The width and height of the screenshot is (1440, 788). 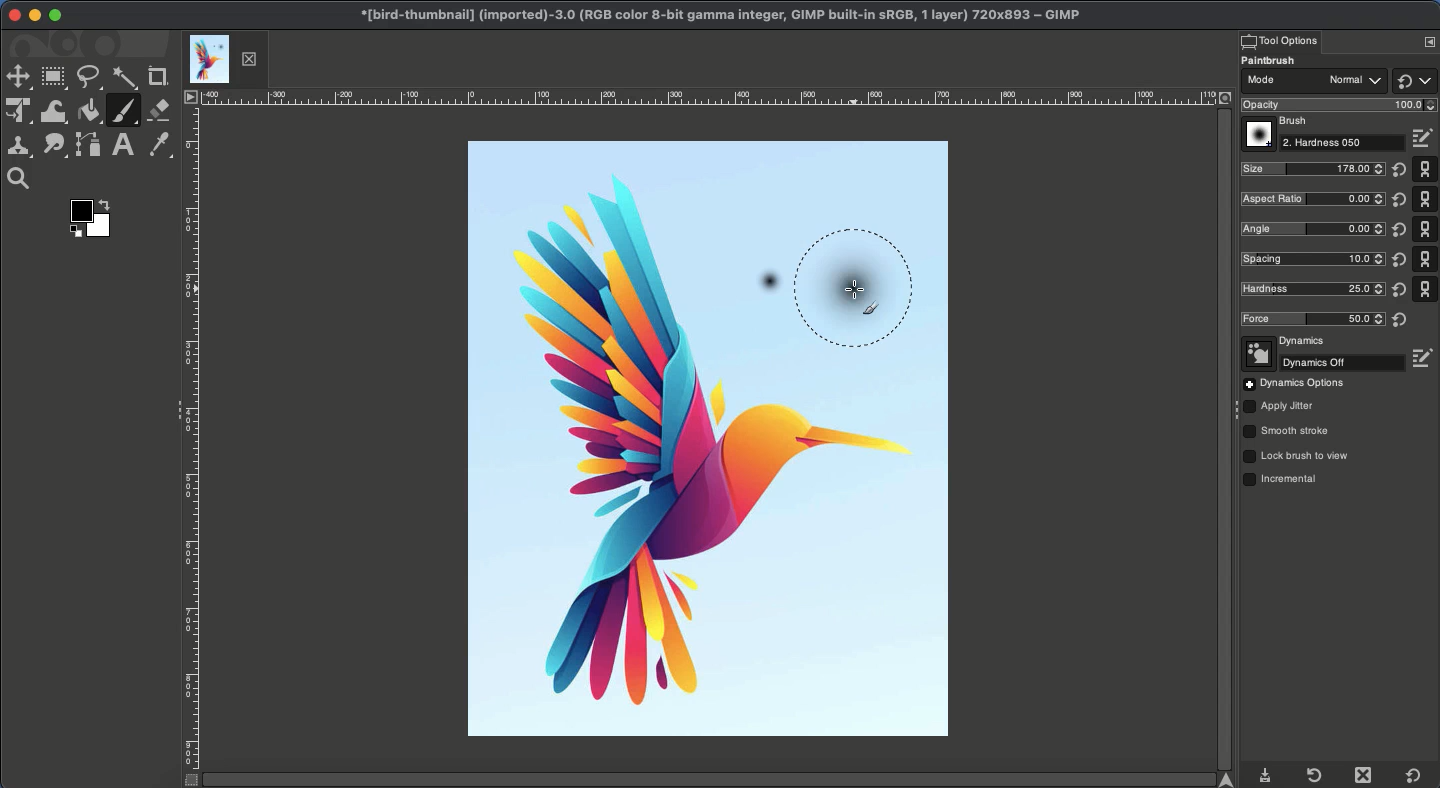 What do you see at coordinates (56, 113) in the screenshot?
I see `Warp transformations` at bounding box center [56, 113].